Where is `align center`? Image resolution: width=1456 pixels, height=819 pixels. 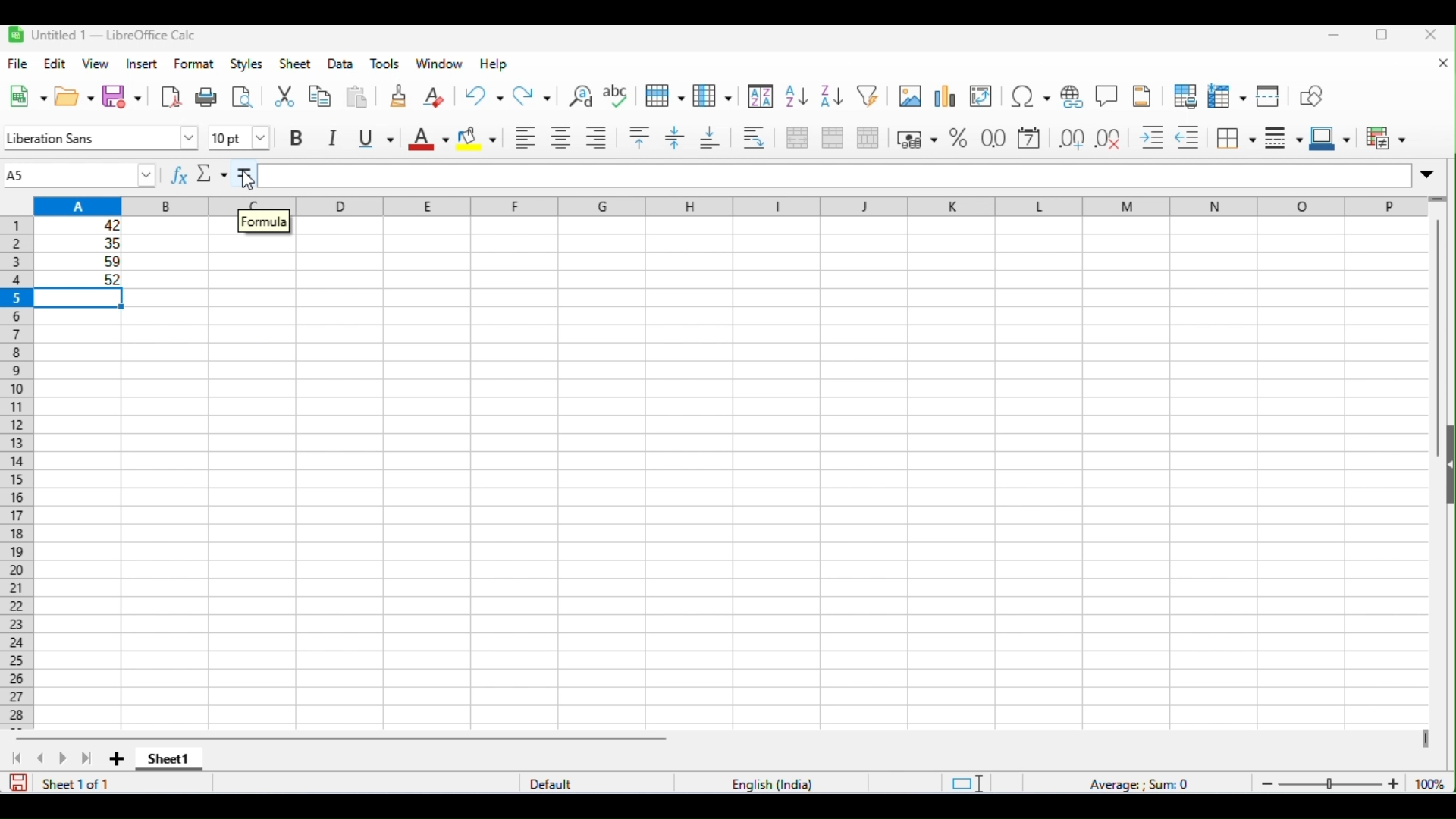
align center is located at coordinates (560, 137).